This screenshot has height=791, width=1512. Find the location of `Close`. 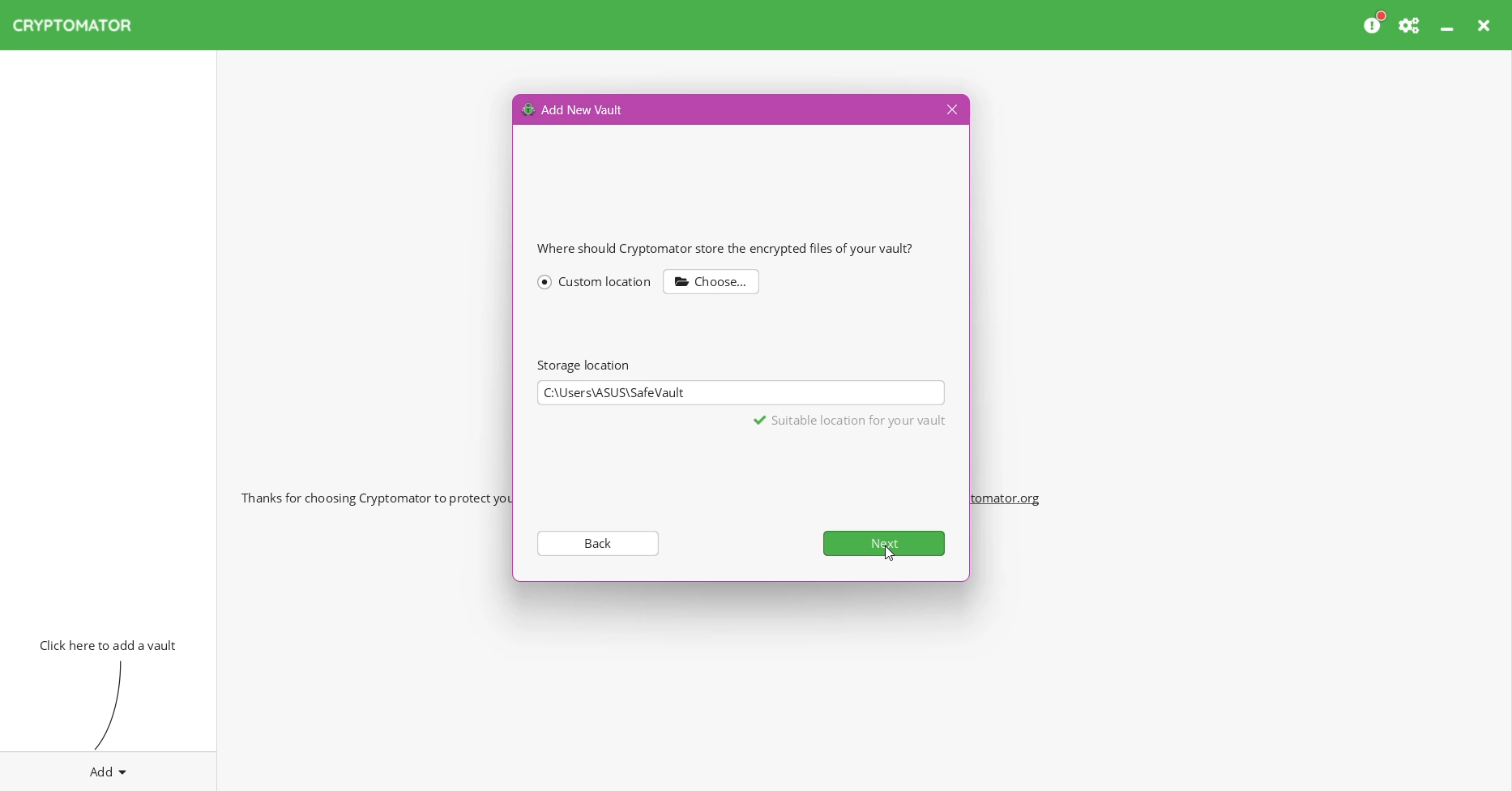

Close is located at coordinates (950, 110).